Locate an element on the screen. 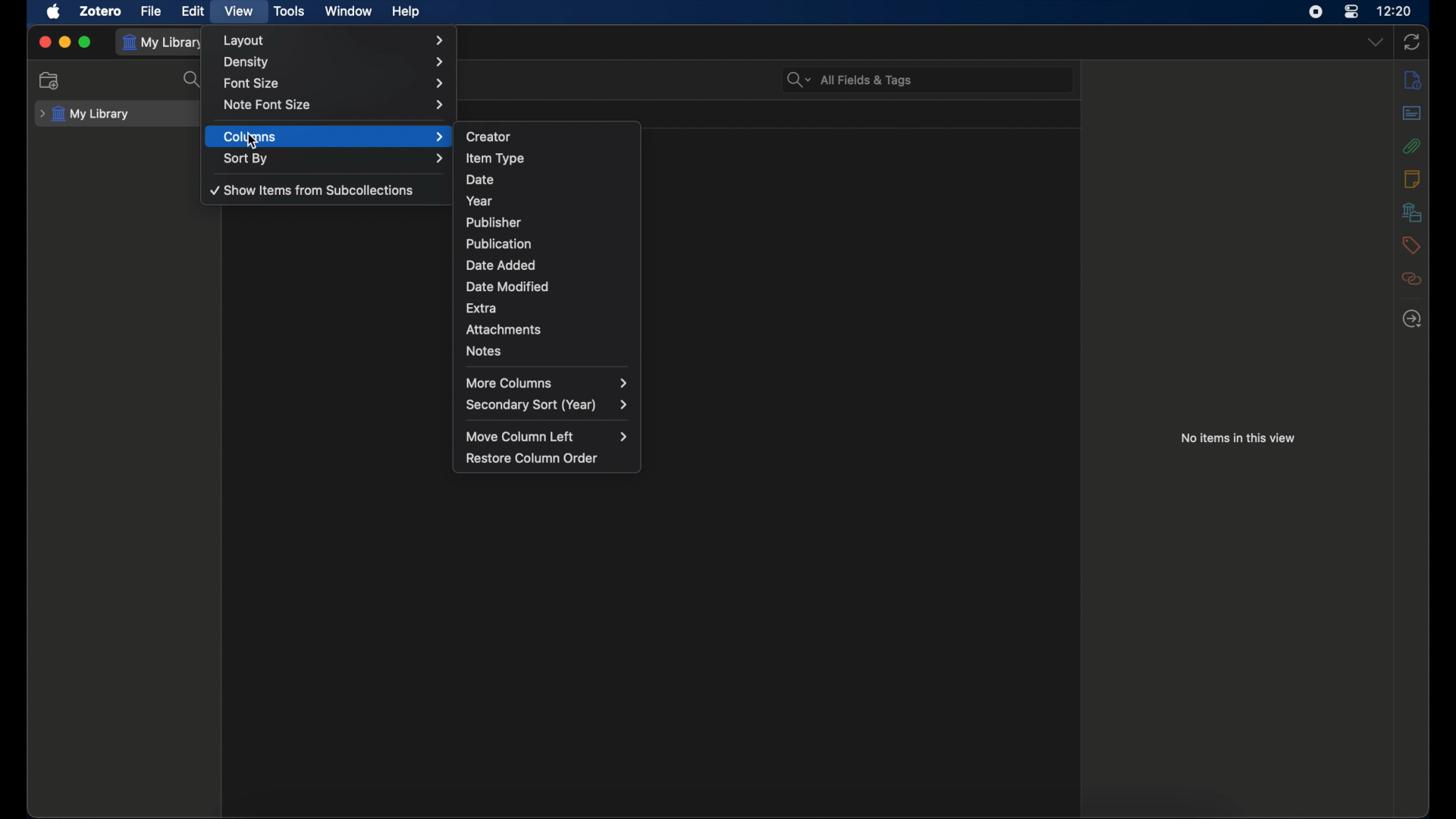 This screenshot has width=1456, height=819. file is located at coordinates (152, 11).